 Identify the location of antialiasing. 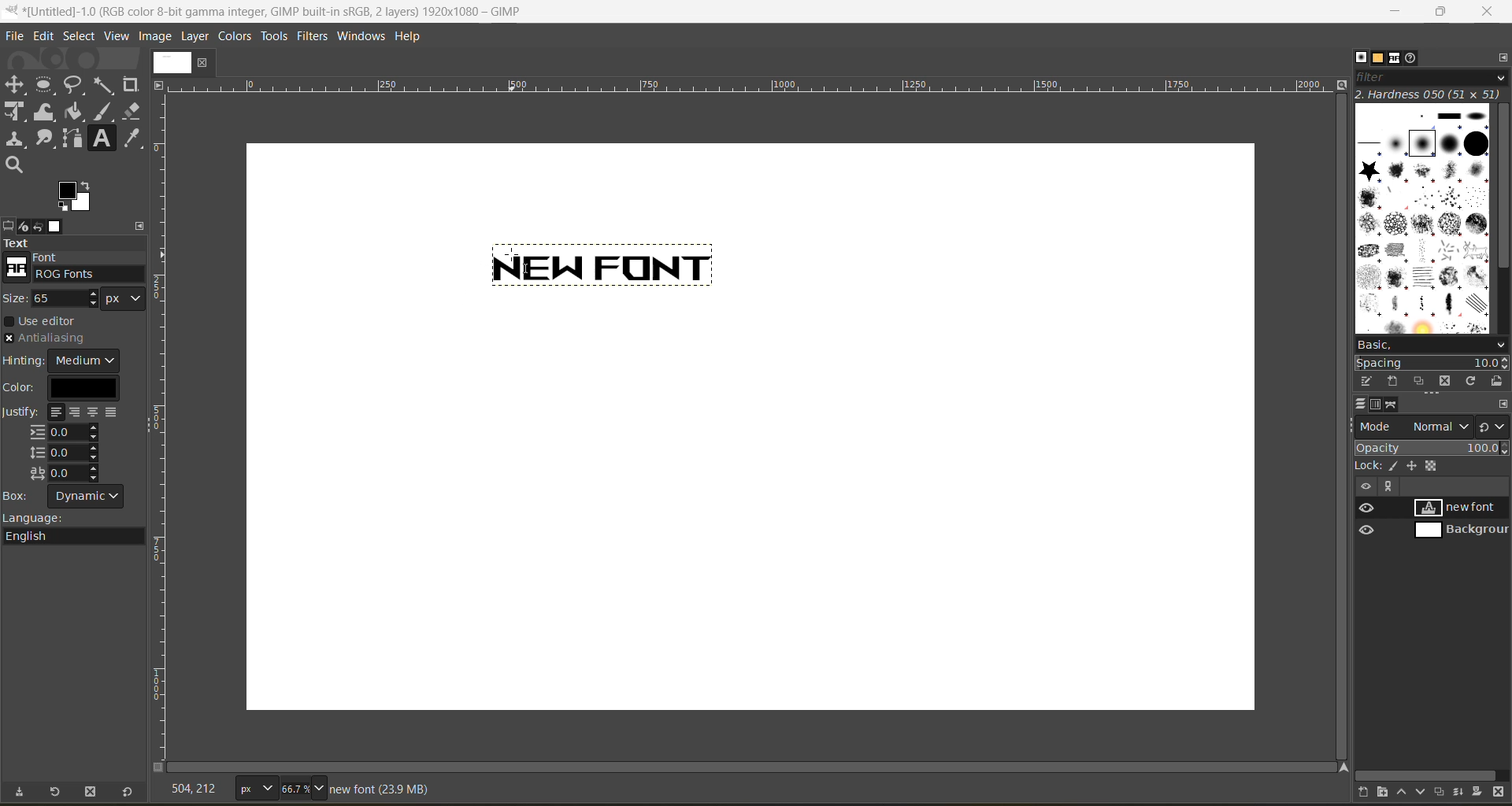
(46, 339).